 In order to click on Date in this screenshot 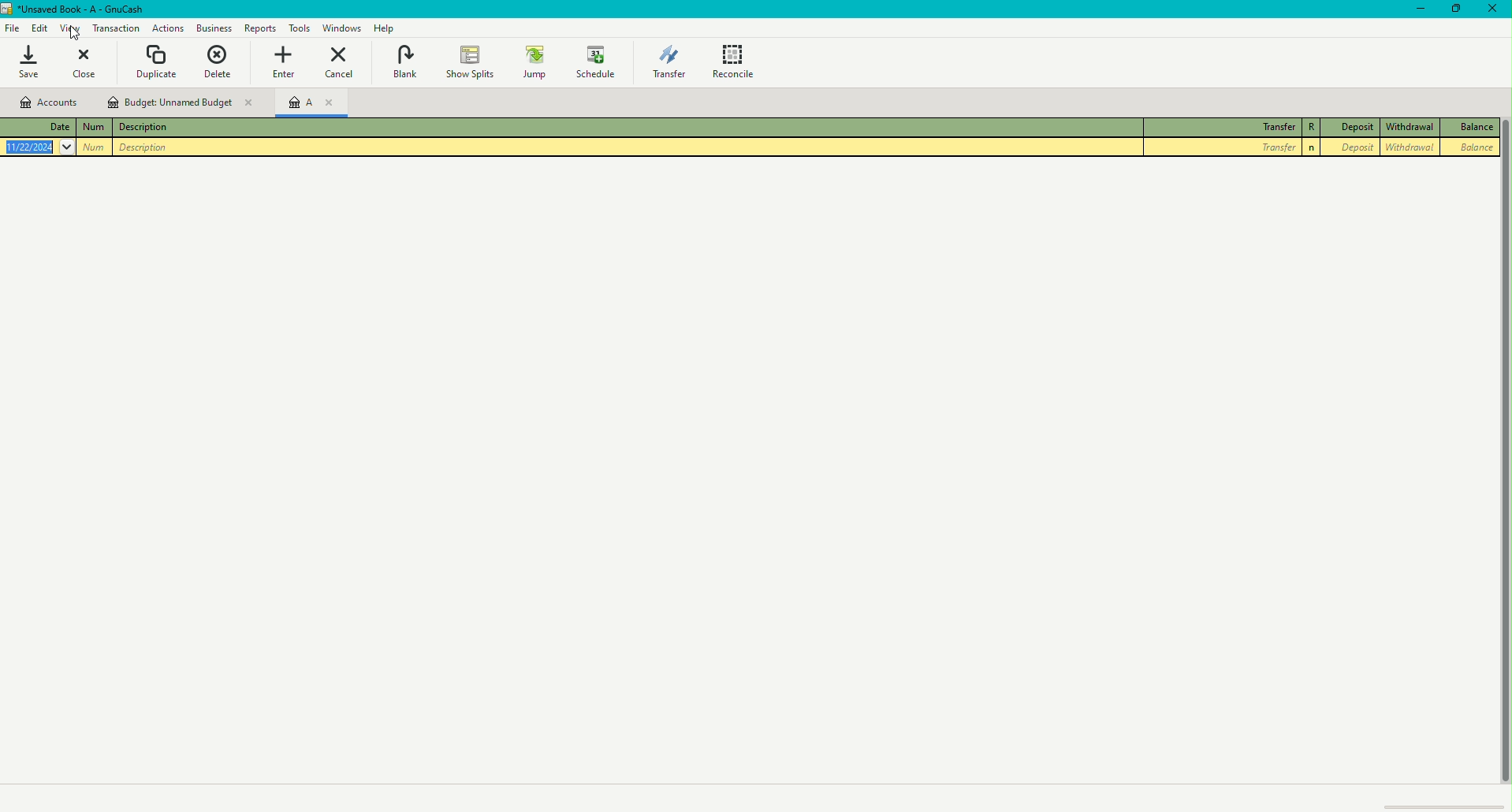, I will do `click(40, 148)`.